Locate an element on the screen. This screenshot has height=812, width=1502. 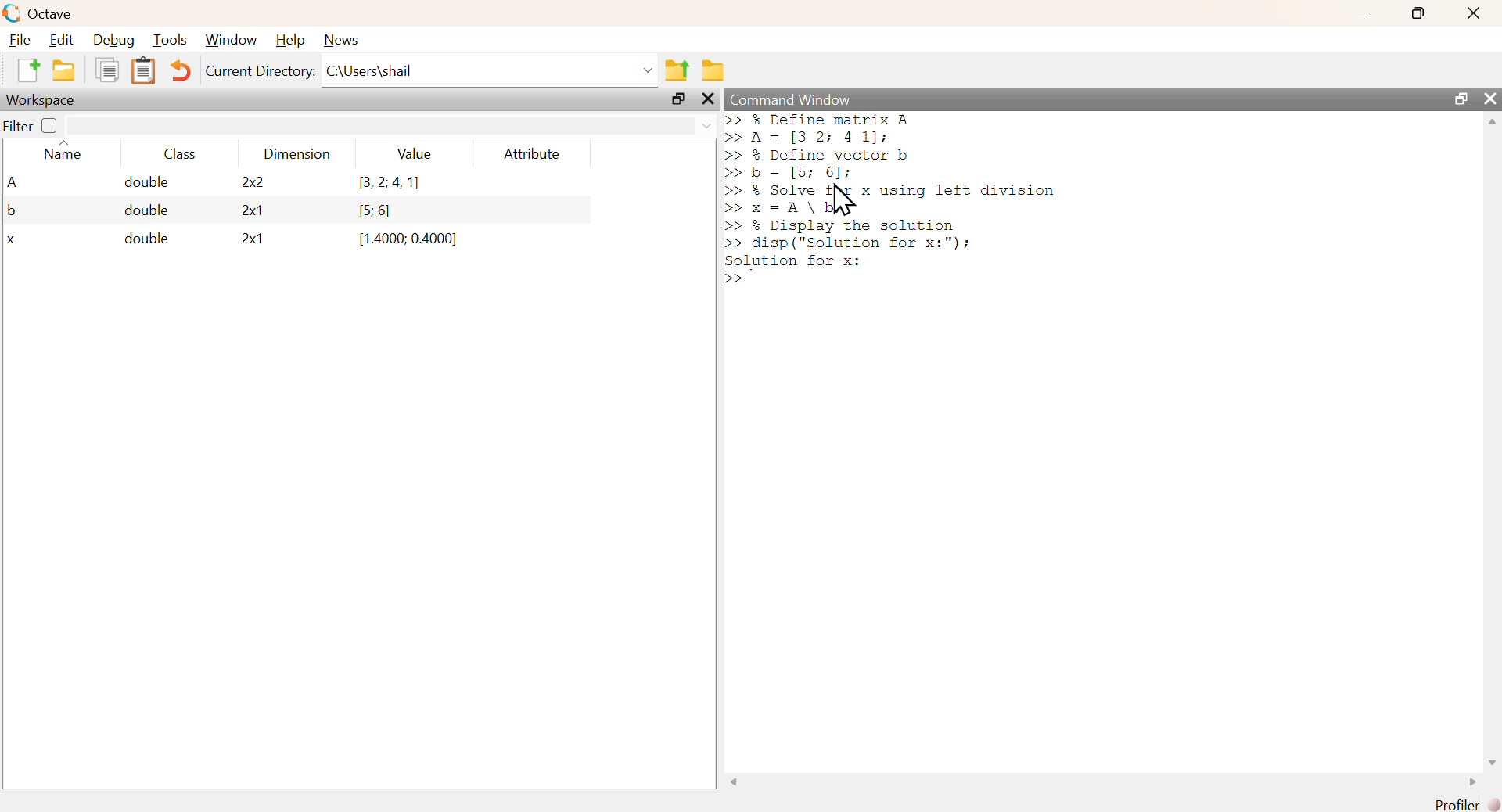
dimension is located at coordinates (296, 156).